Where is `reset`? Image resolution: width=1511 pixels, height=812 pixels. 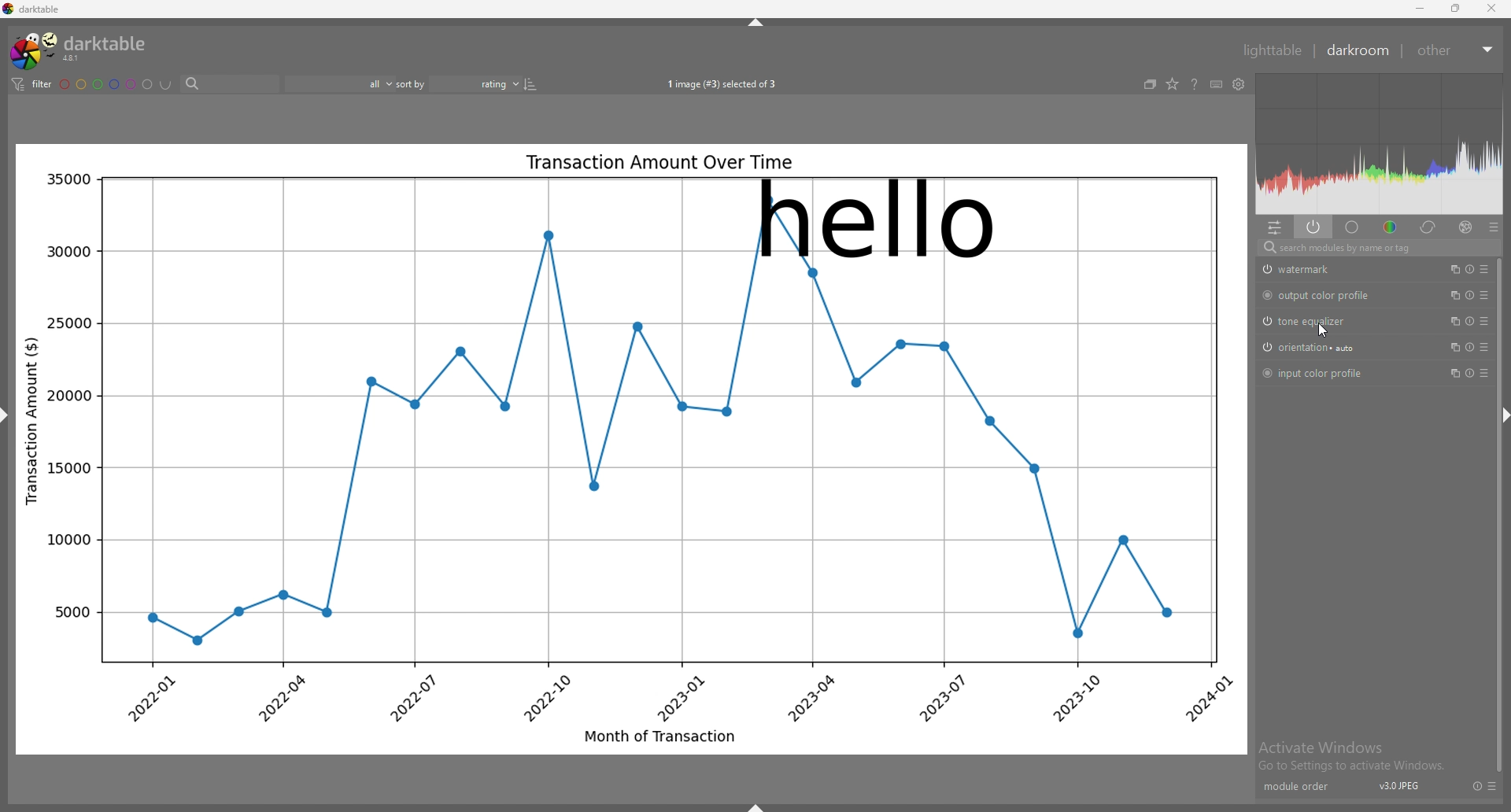 reset is located at coordinates (1474, 786).